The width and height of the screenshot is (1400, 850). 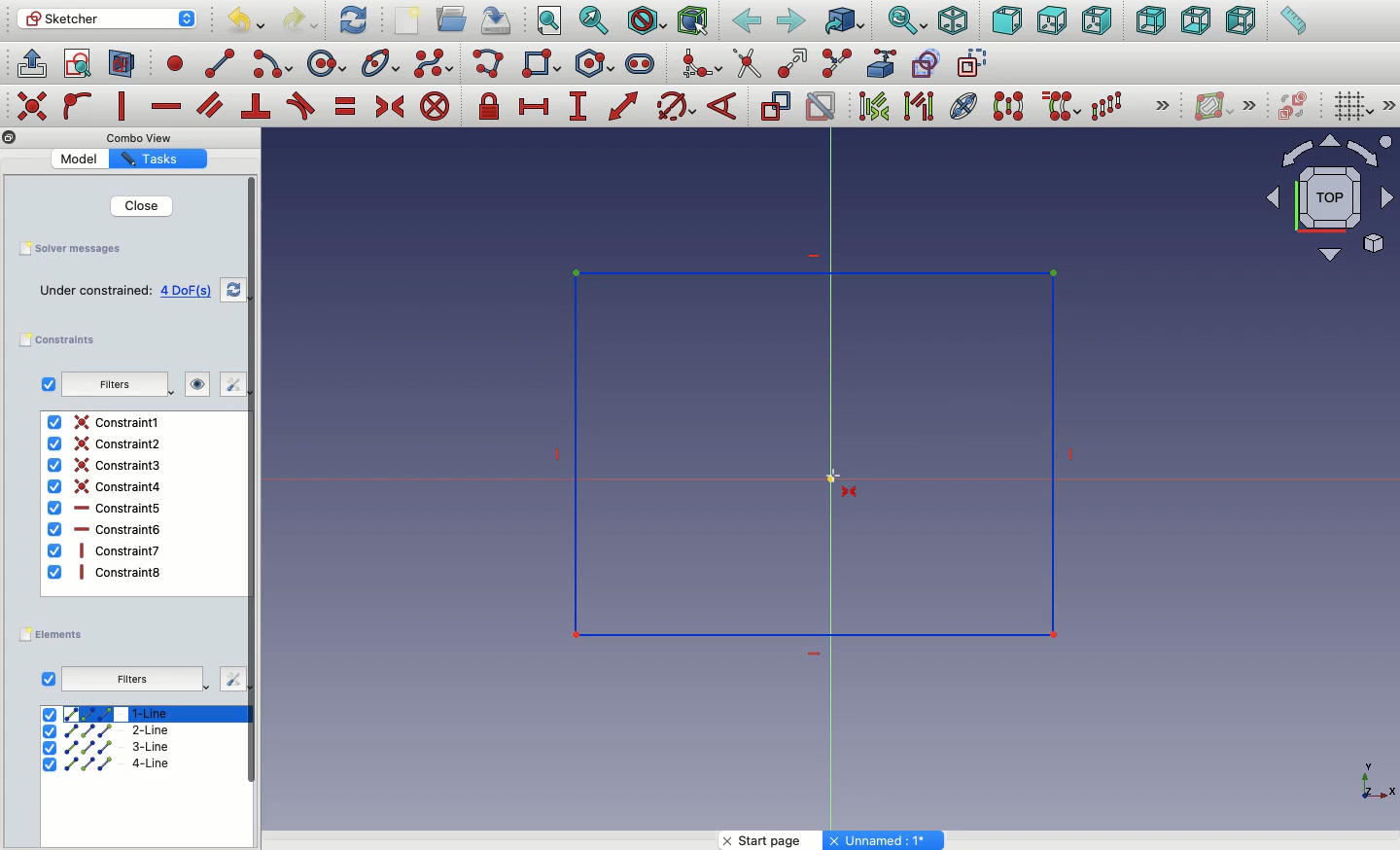 I want to click on Internal geometry , so click(x=964, y=104).